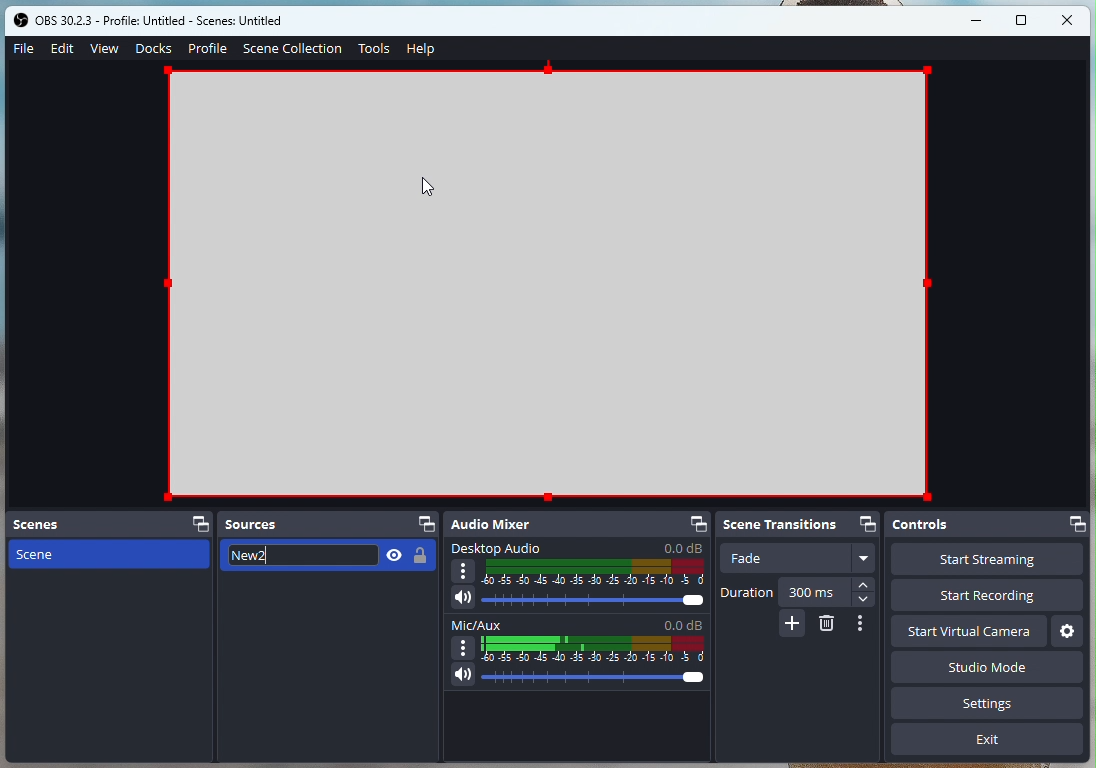  I want to click on Scene, so click(105, 554).